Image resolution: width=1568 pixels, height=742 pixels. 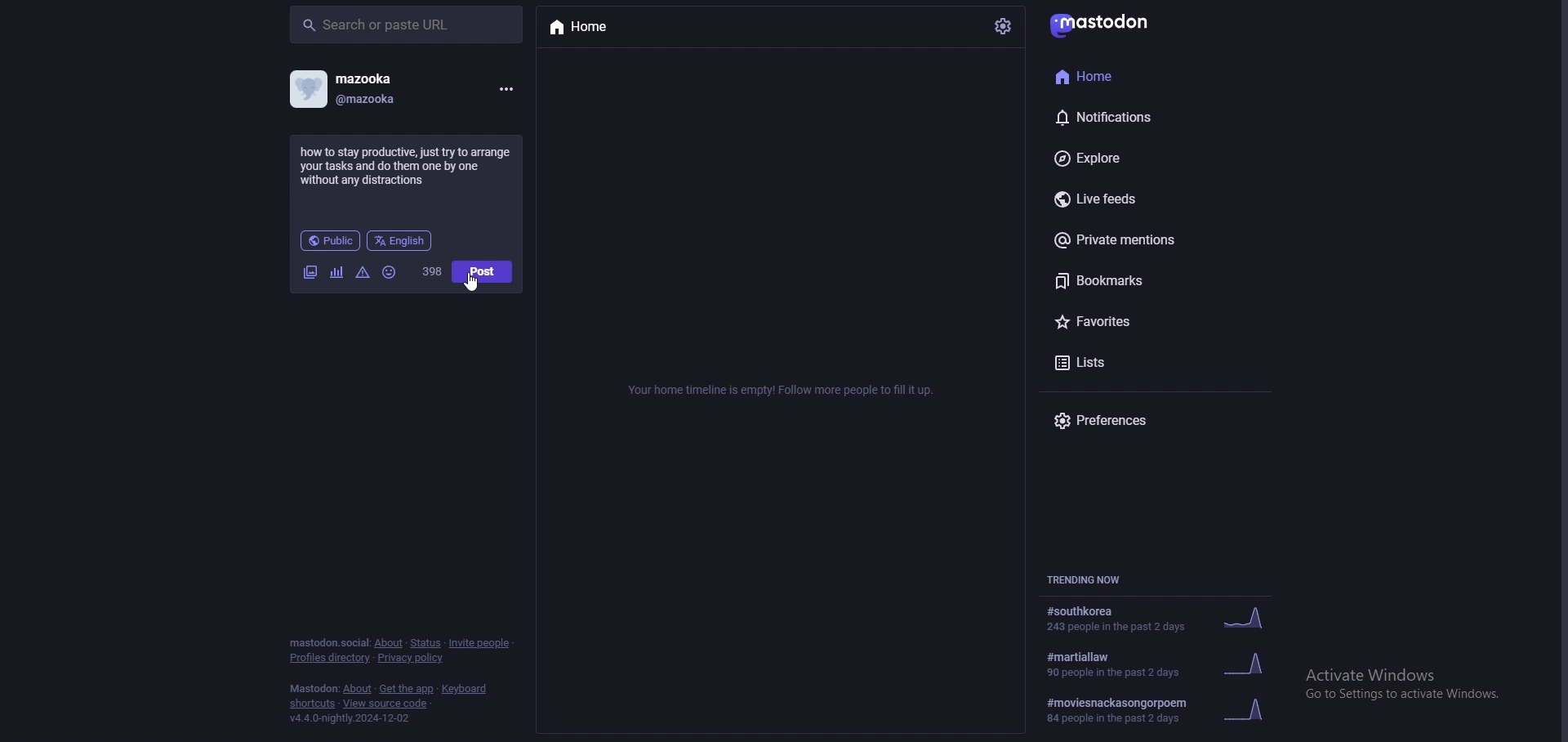 I want to click on lists, so click(x=1135, y=364).